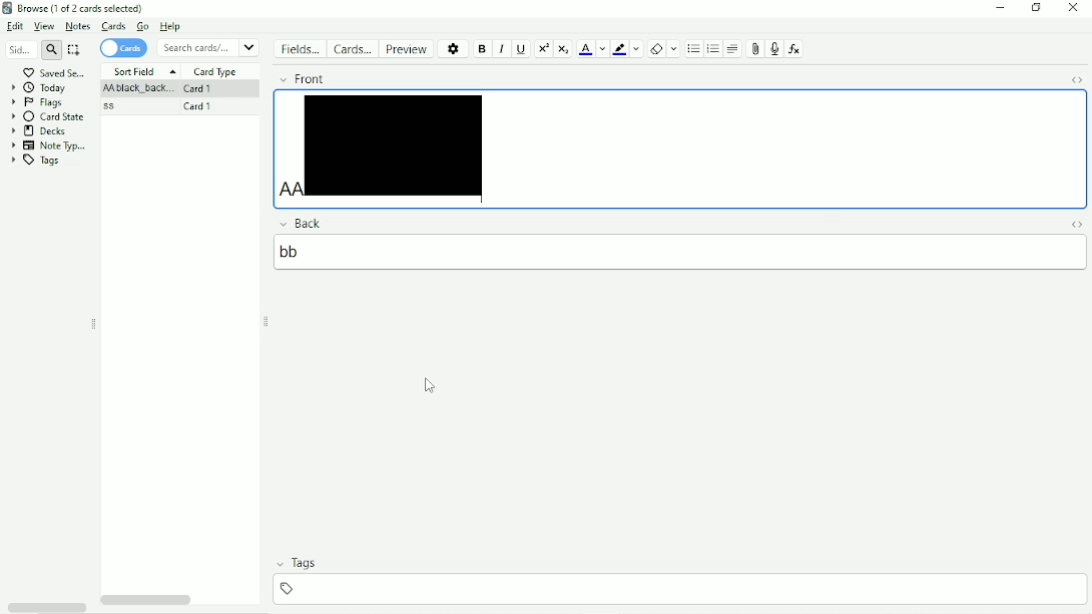 Image resolution: width=1092 pixels, height=614 pixels. What do you see at coordinates (215, 73) in the screenshot?
I see `Card Type` at bounding box center [215, 73].